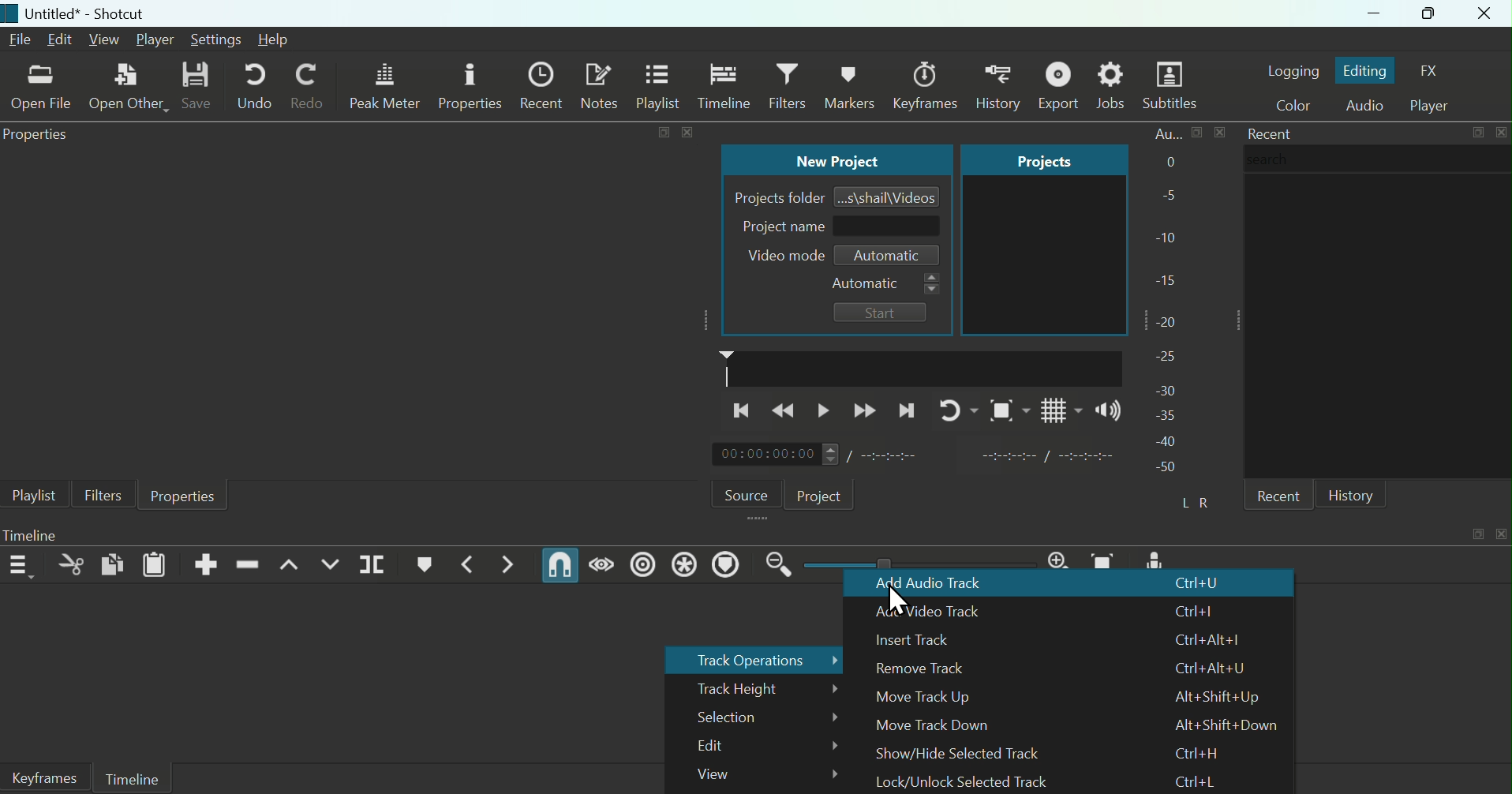 This screenshot has width=1512, height=794. What do you see at coordinates (881, 312) in the screenshot?
I see `Start` at bounding box center [881, 312].